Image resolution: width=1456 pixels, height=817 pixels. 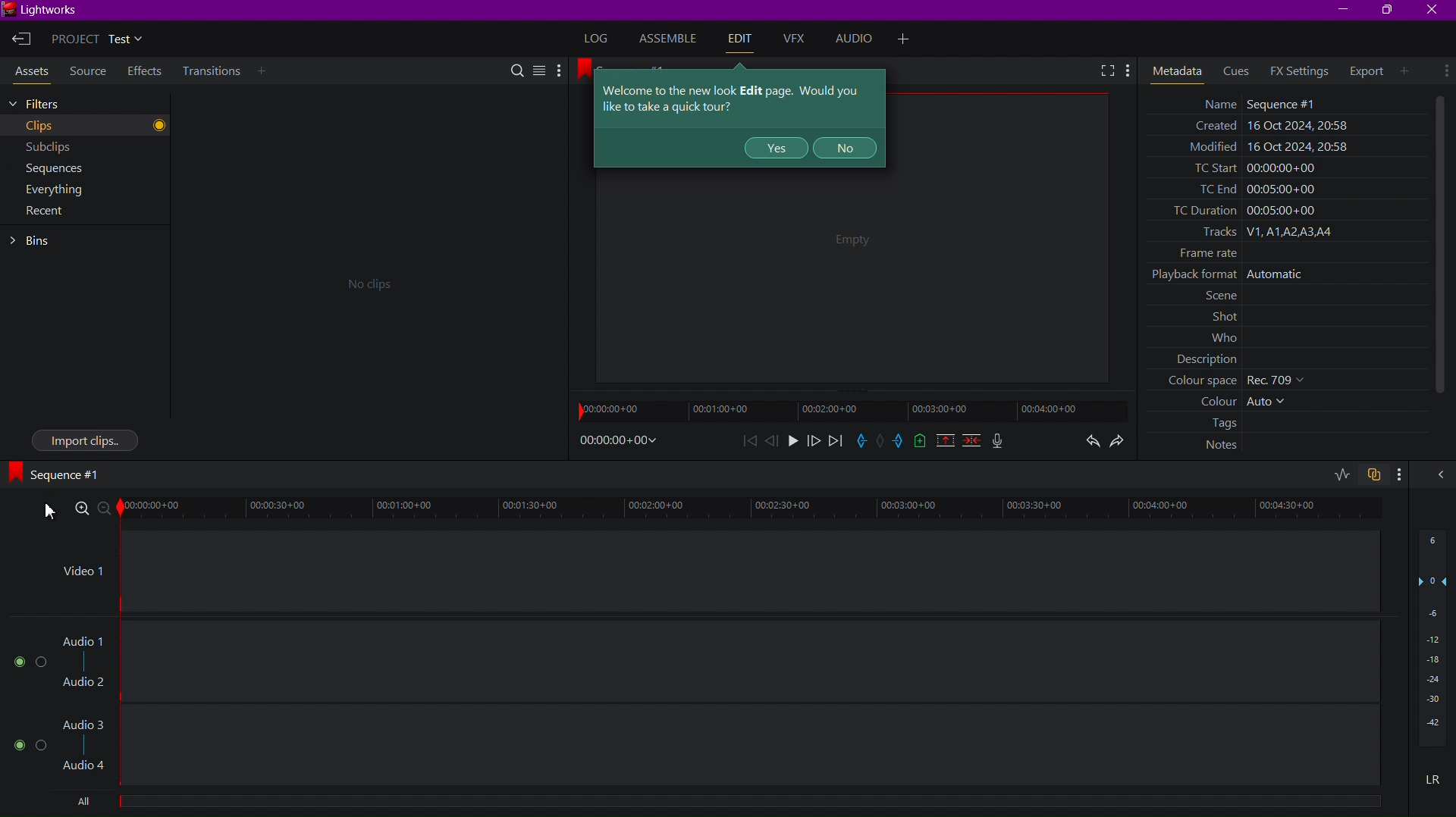 I want to click on Sequences, so click(x=45, y=168).